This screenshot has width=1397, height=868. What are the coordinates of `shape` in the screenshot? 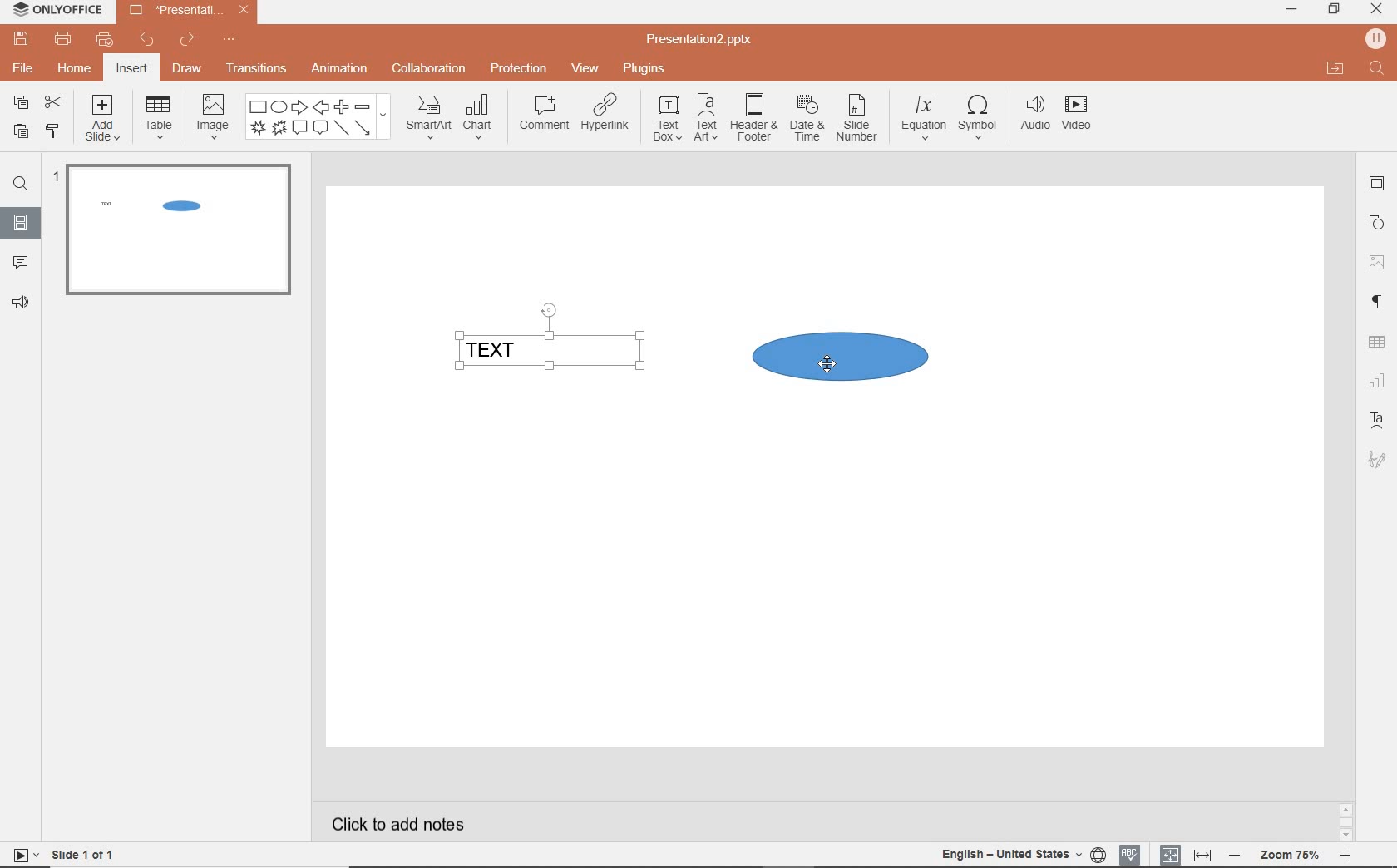 It's located at (318, 118).